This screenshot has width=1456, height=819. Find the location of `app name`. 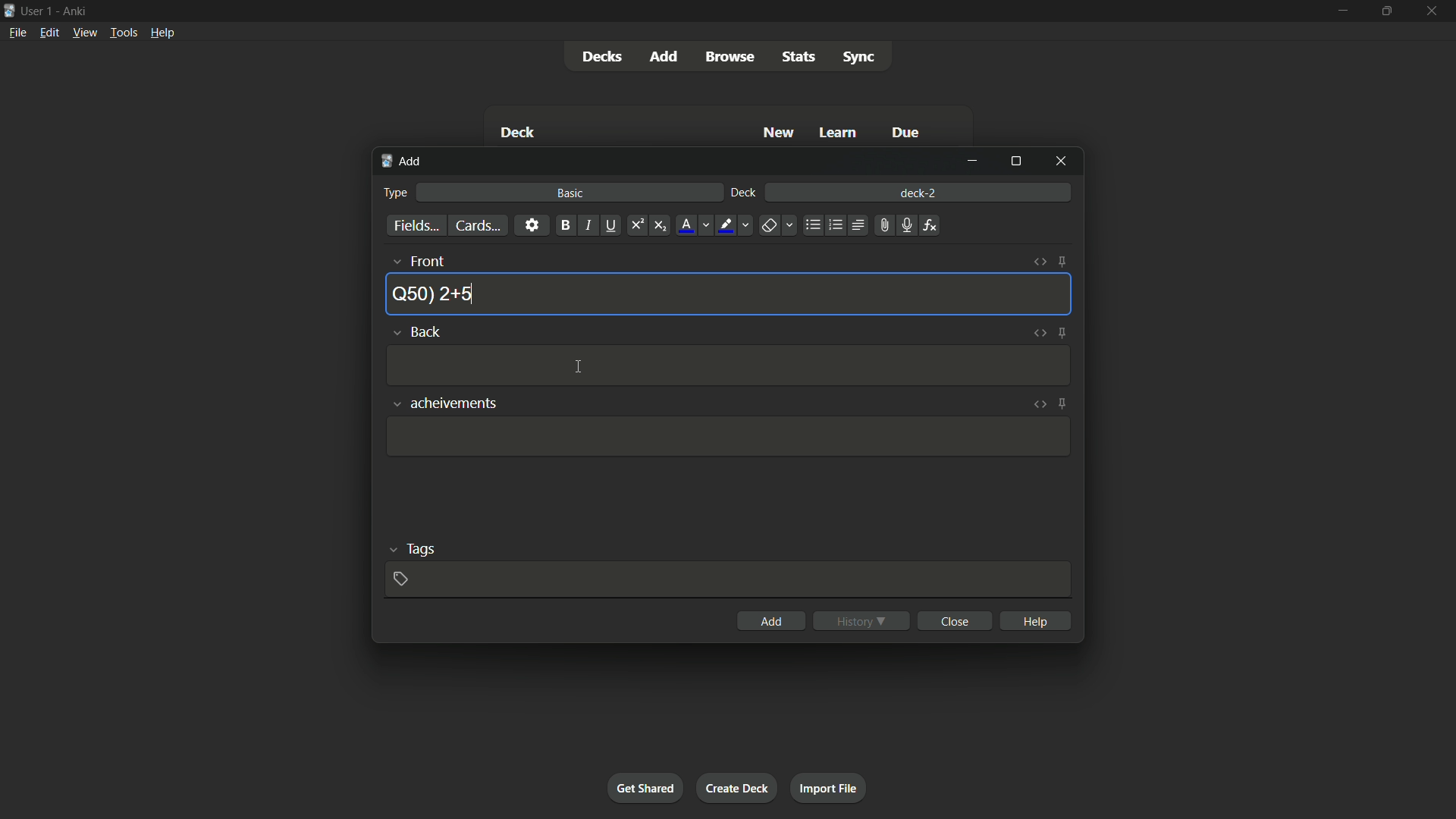

app name is located at coordinates (74, 11).